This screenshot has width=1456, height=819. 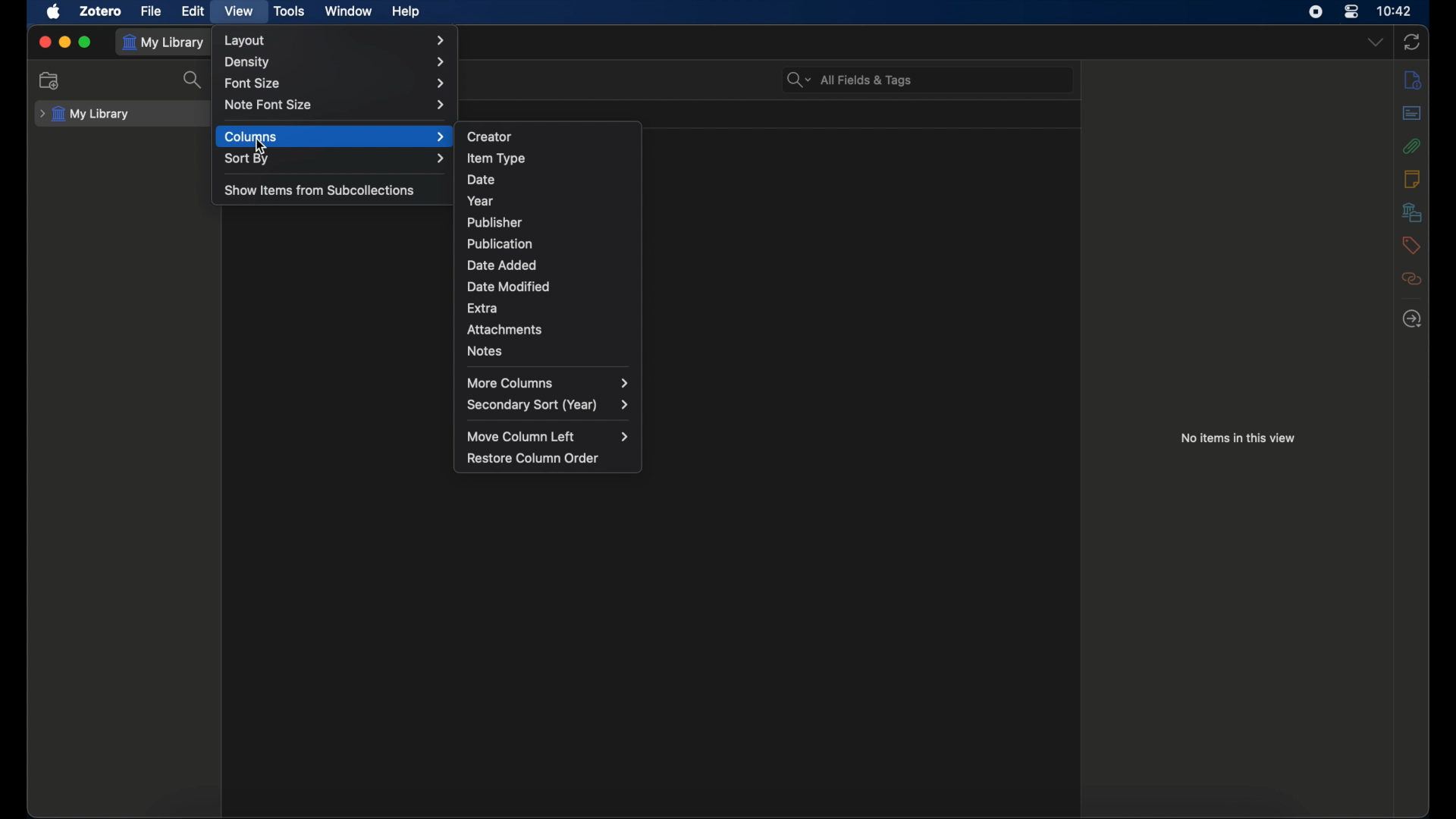 I want to click on libraries, so click(x=1412, y=212).